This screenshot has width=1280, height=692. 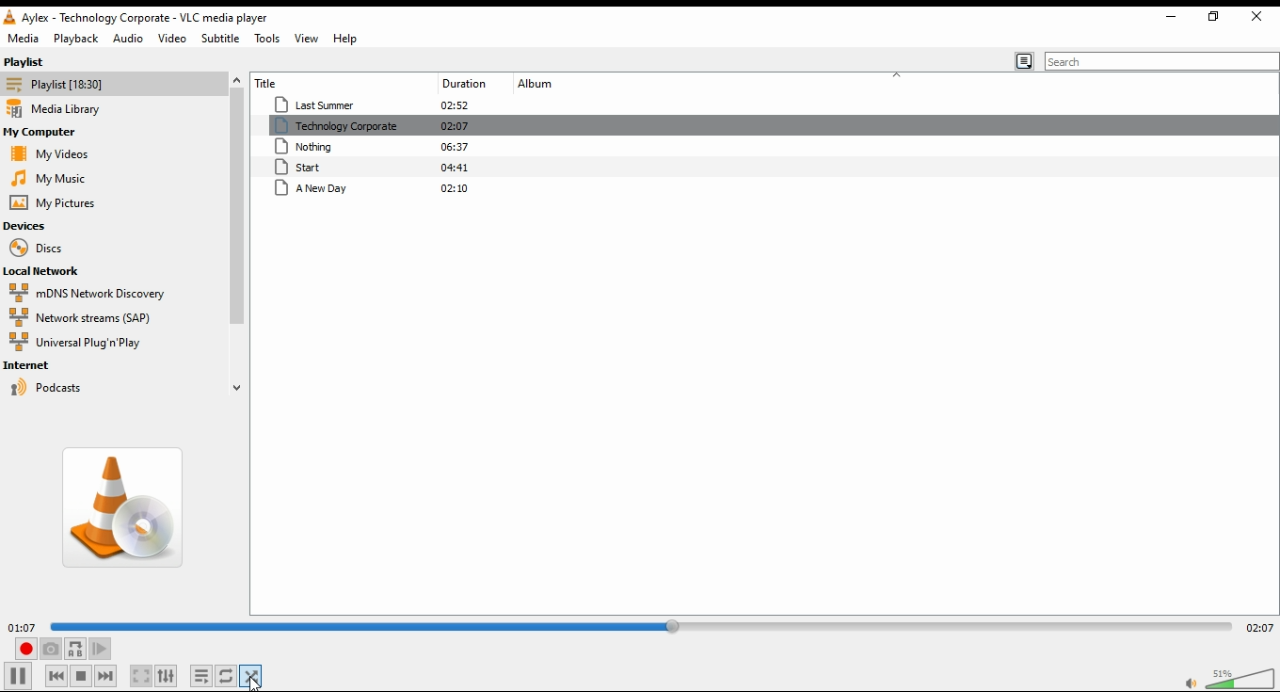 I want to click on album art, so click(x=117, y=511).